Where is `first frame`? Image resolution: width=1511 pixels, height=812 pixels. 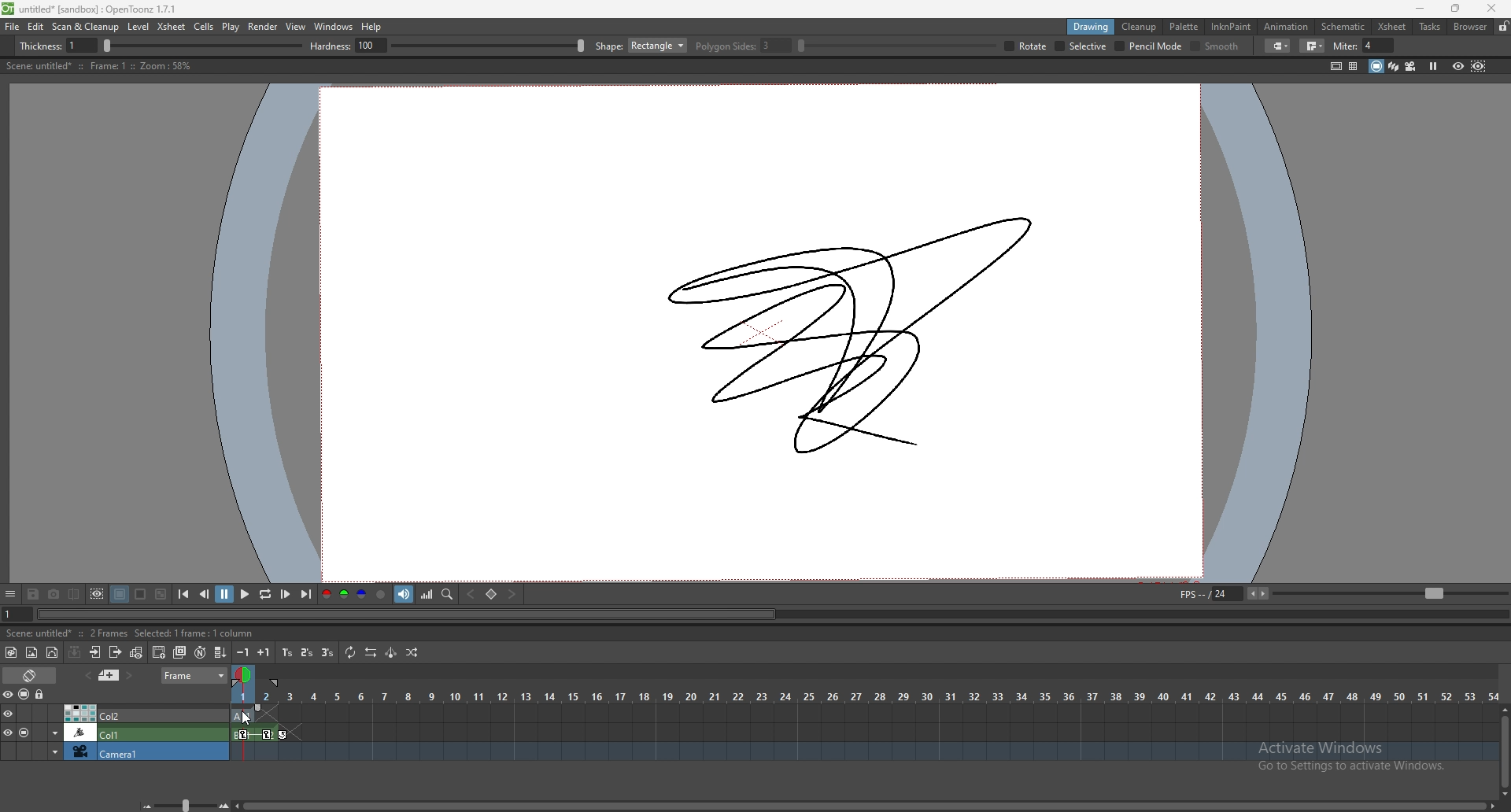 first frame is located at coordinates (183, 594).